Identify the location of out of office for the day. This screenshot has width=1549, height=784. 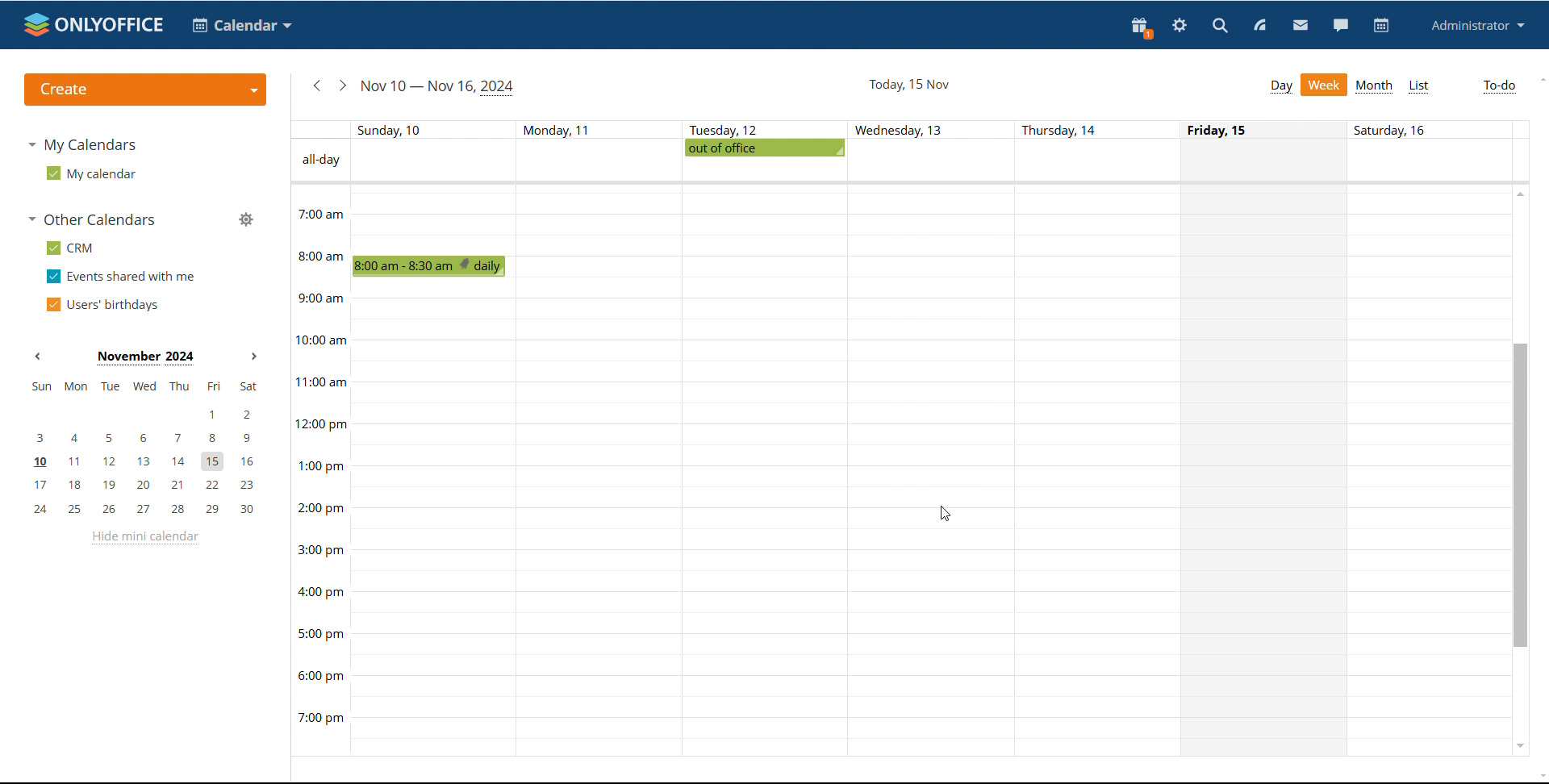
(765, 148).